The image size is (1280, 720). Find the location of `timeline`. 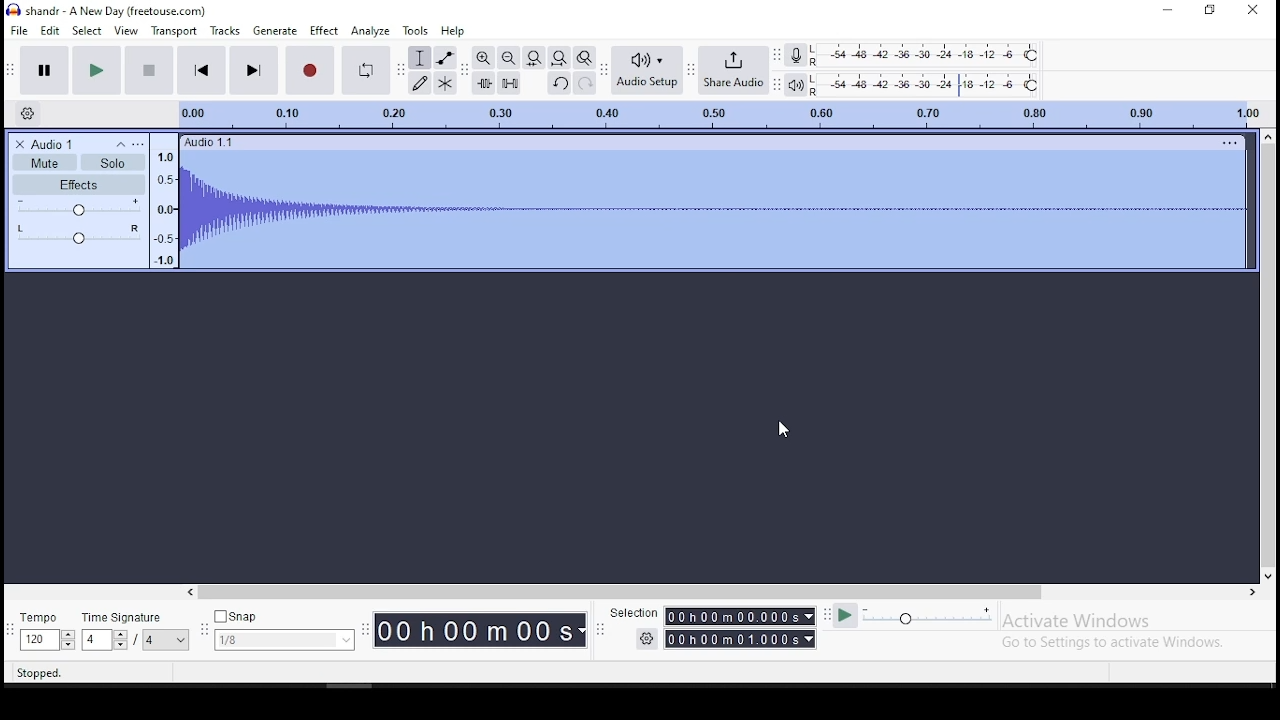

timeline is located at coordinates (164, 205).